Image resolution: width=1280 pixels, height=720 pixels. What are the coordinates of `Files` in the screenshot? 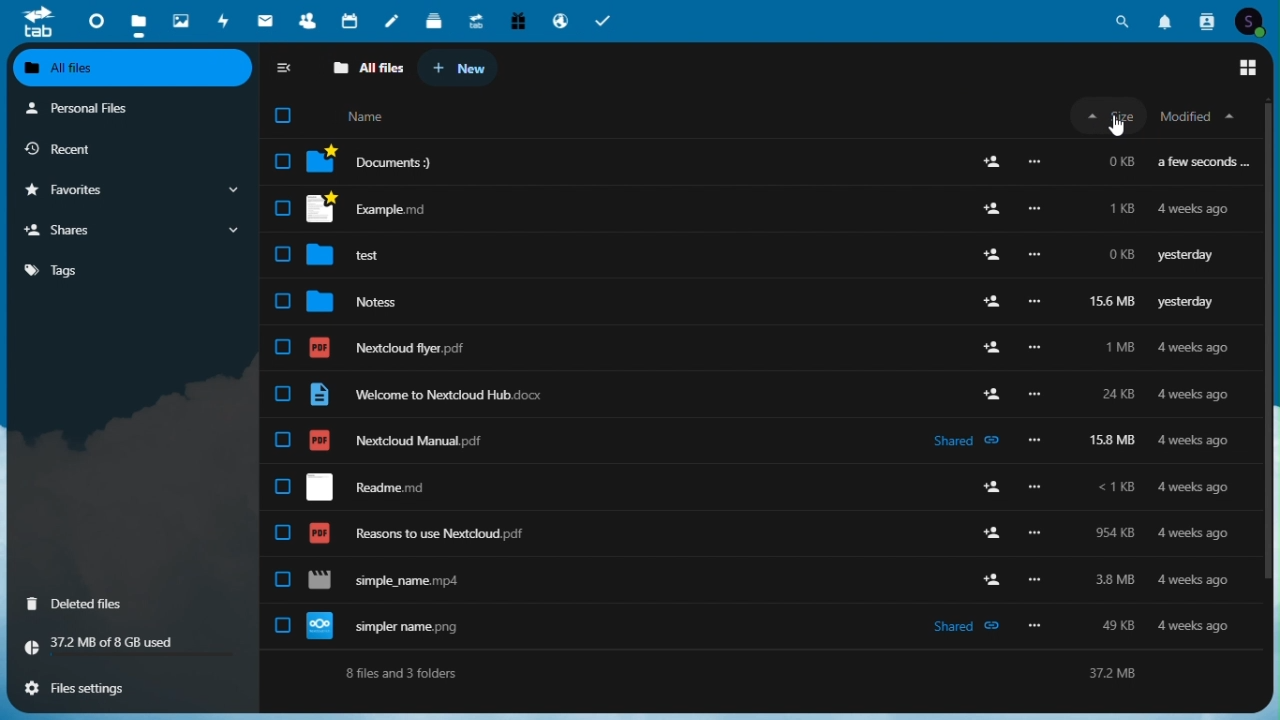 It's located at (139, 21).